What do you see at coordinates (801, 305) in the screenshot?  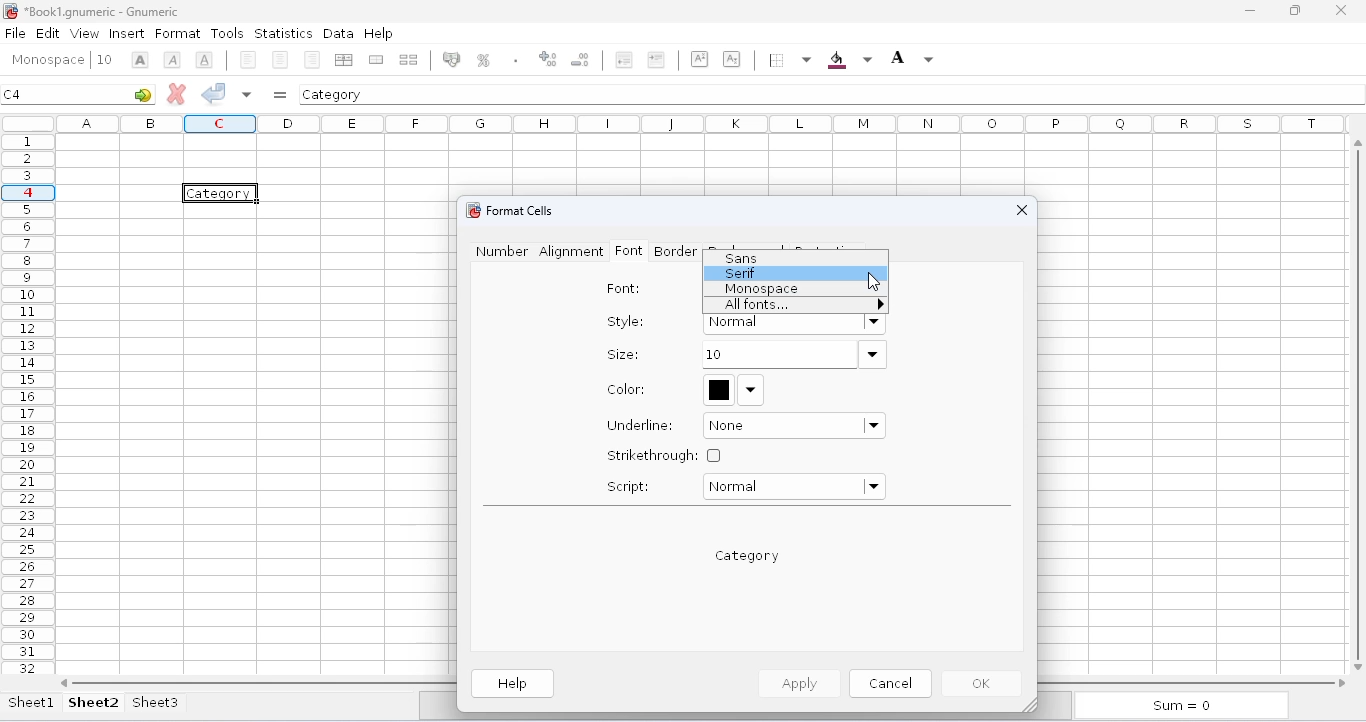 I see `all fonts` at bounding box center [801, 305].